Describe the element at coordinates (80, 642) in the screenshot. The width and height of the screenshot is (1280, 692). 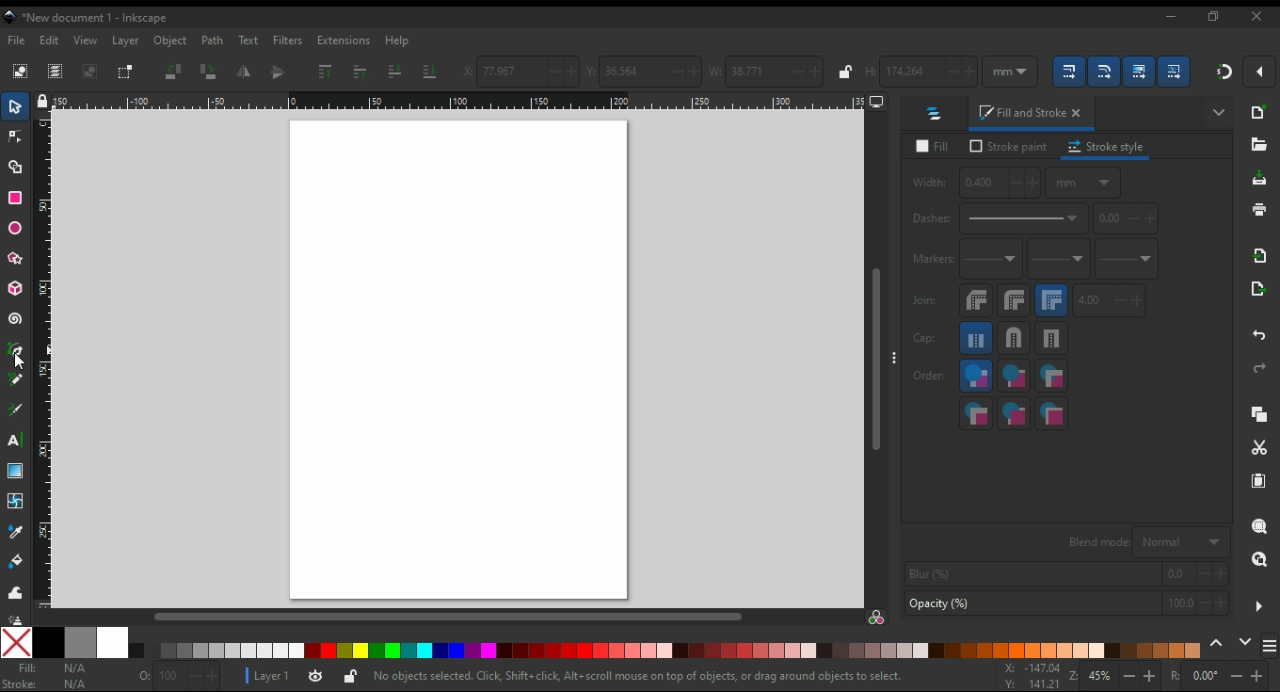
I see `50% grey` at that location.